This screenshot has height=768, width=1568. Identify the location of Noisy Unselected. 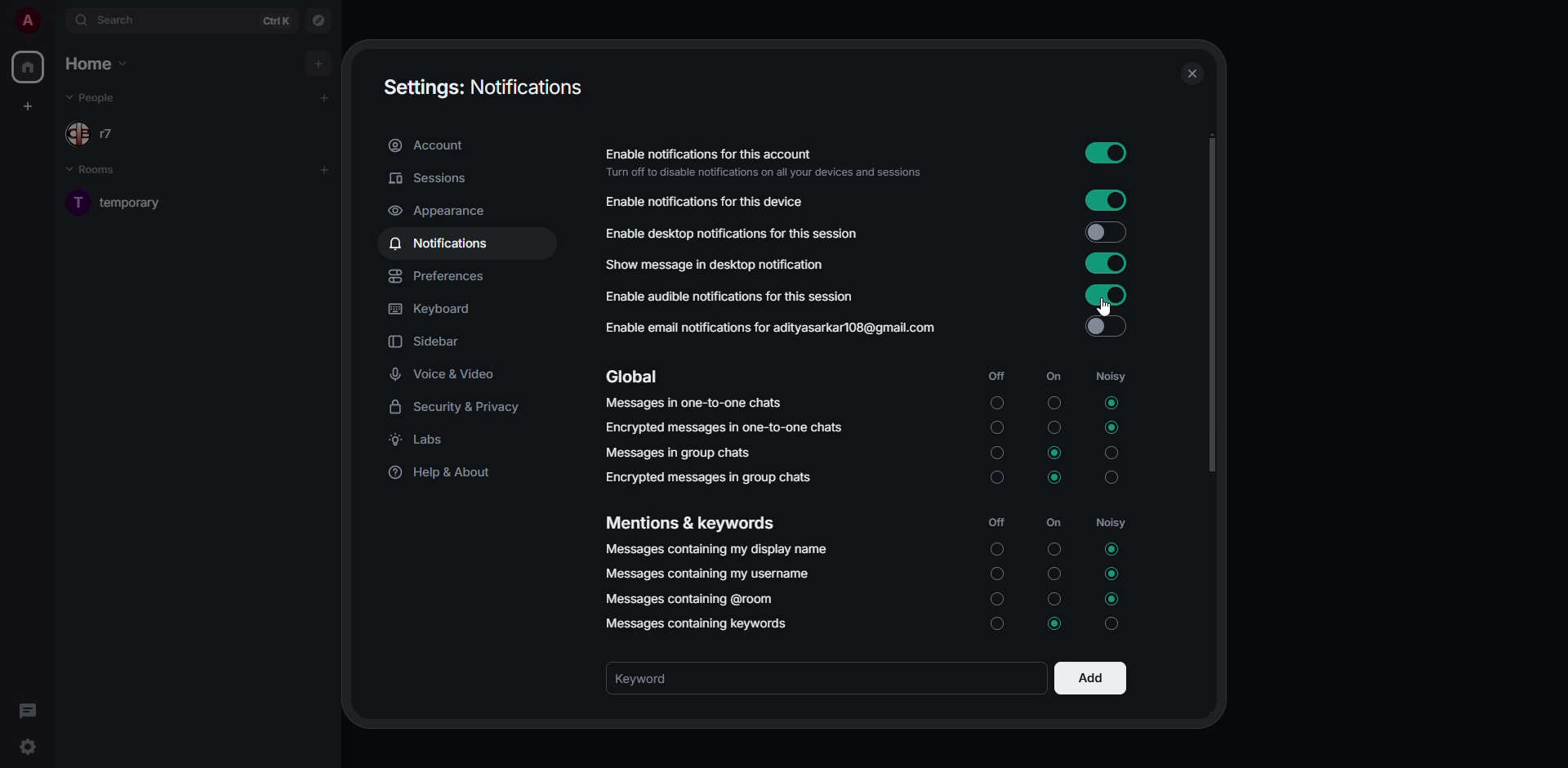
(1114, 453).